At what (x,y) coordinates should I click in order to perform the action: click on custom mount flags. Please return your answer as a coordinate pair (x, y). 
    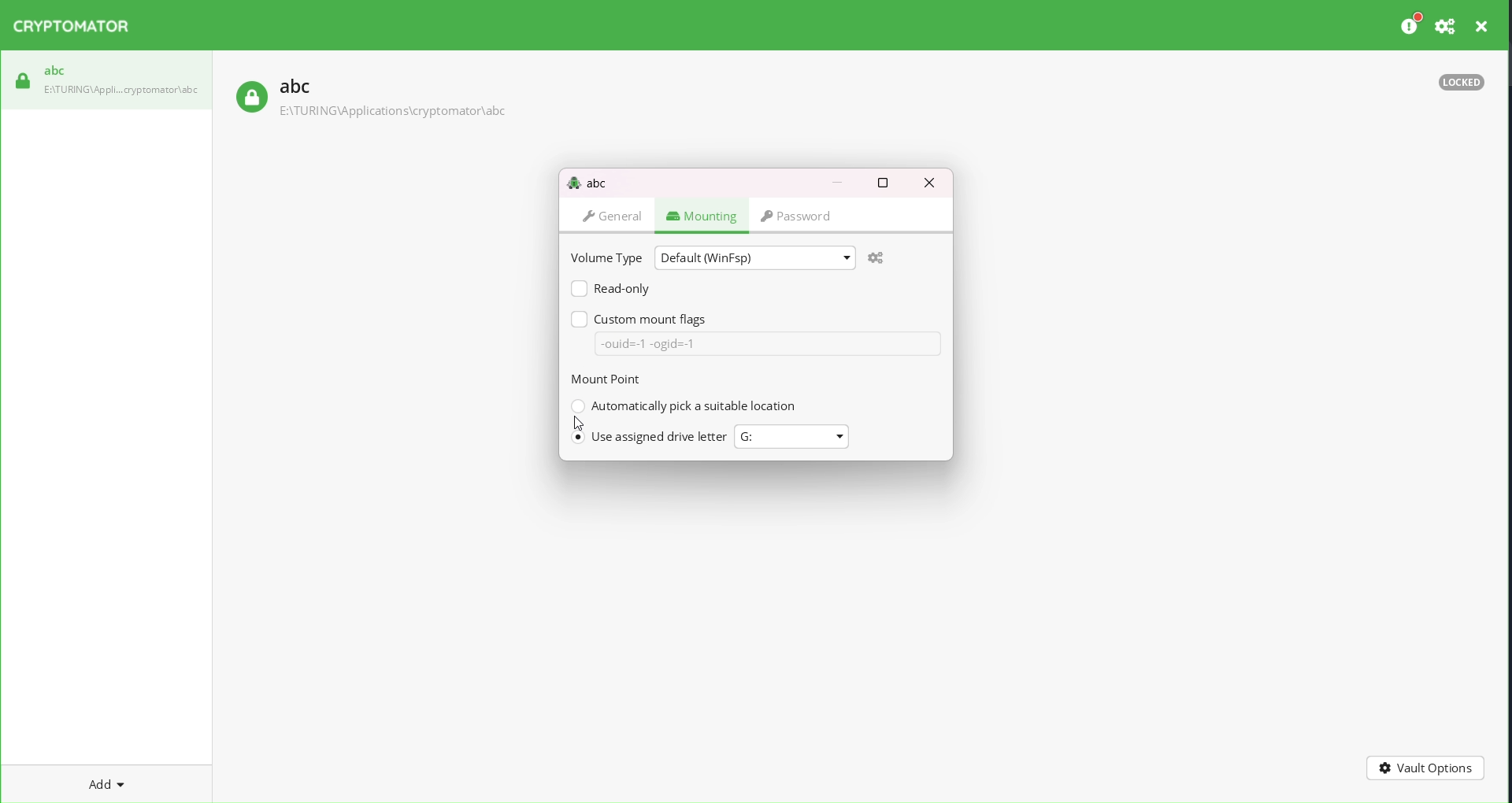
    Looking at the image, I should click on (639, 317).